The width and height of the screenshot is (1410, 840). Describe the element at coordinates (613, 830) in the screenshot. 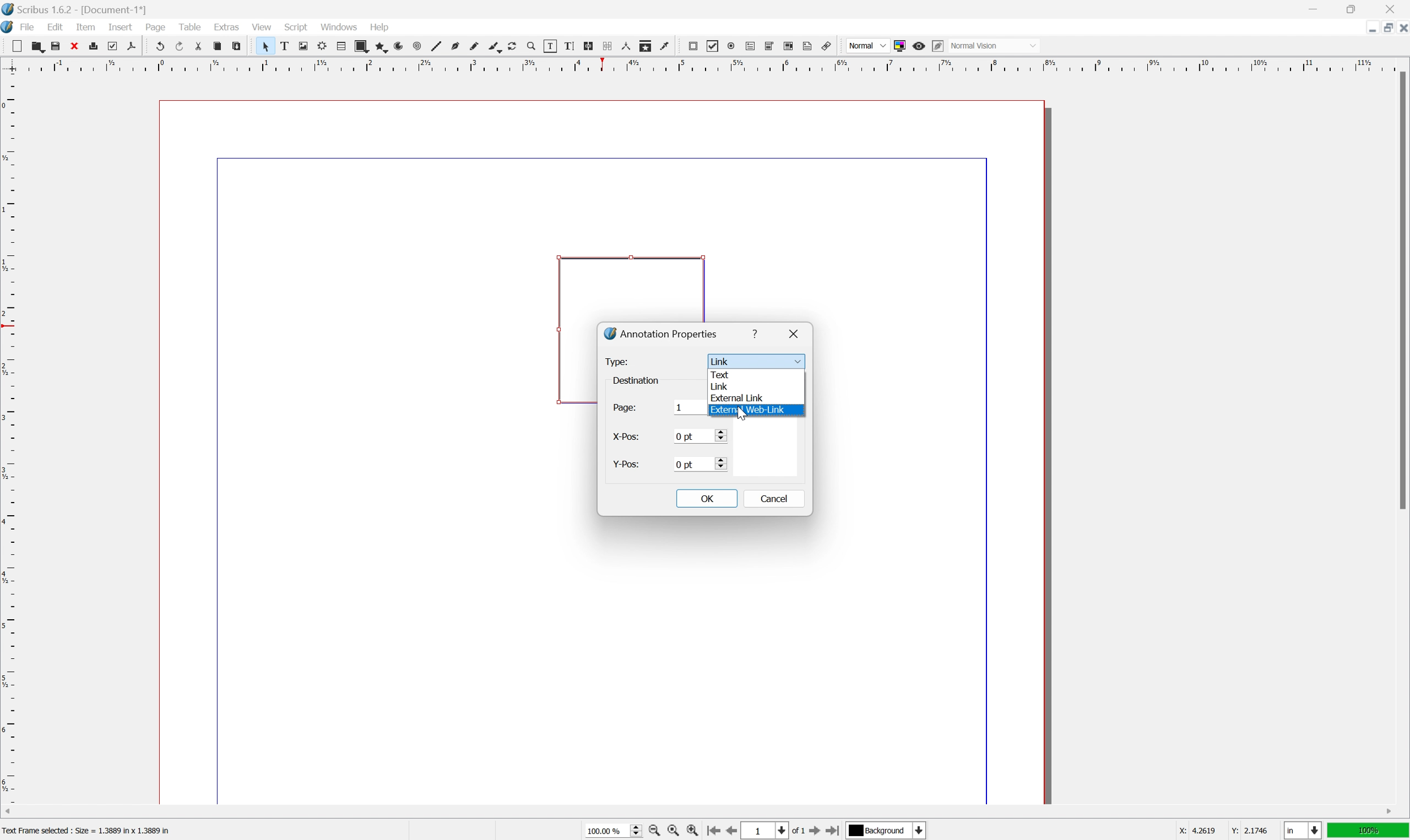

I see `select current zoom level` at that location.